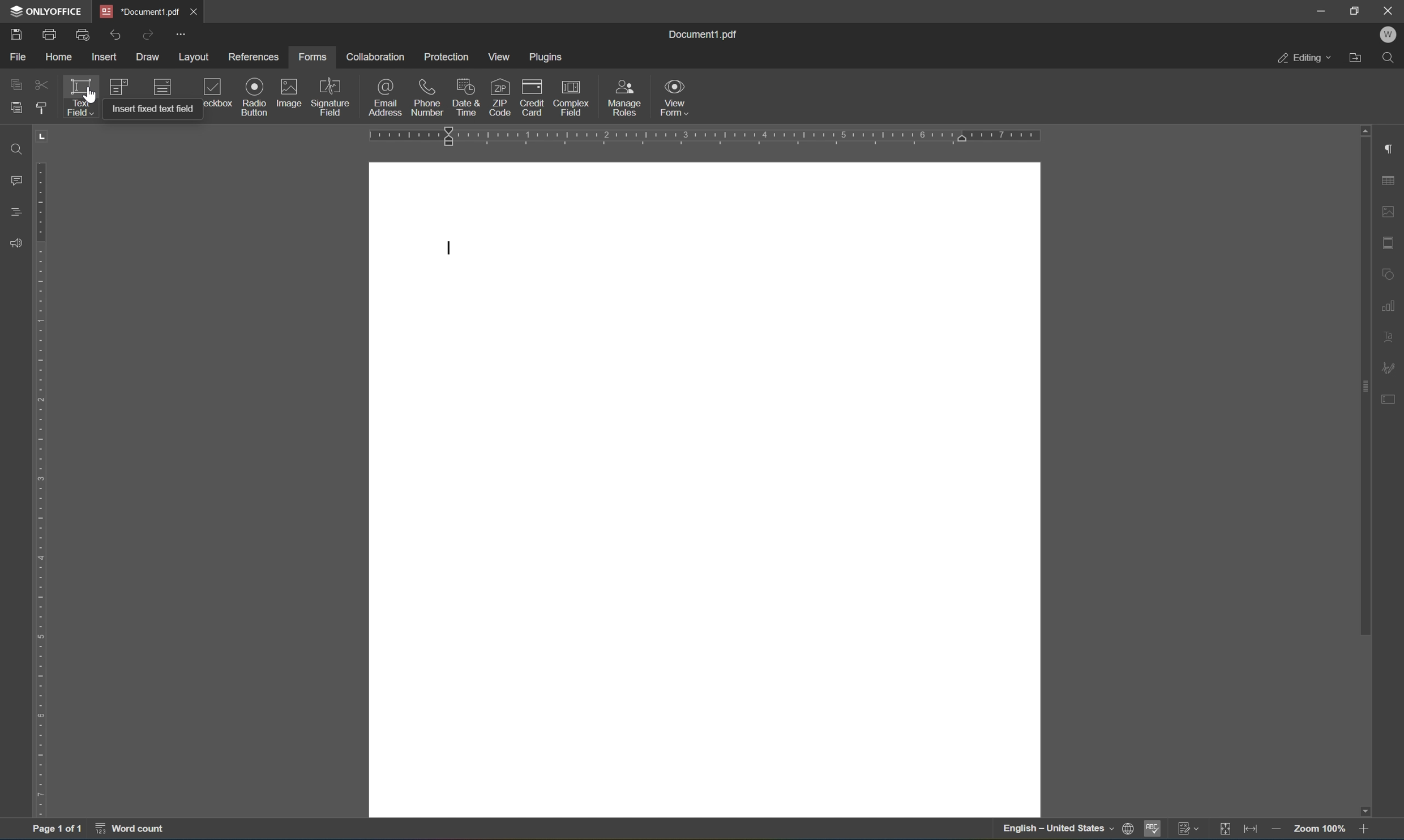  What do you see at coordinates (1364, 829) in the screenshot?
I see `zoom in` at bounding box center [1364, 829].